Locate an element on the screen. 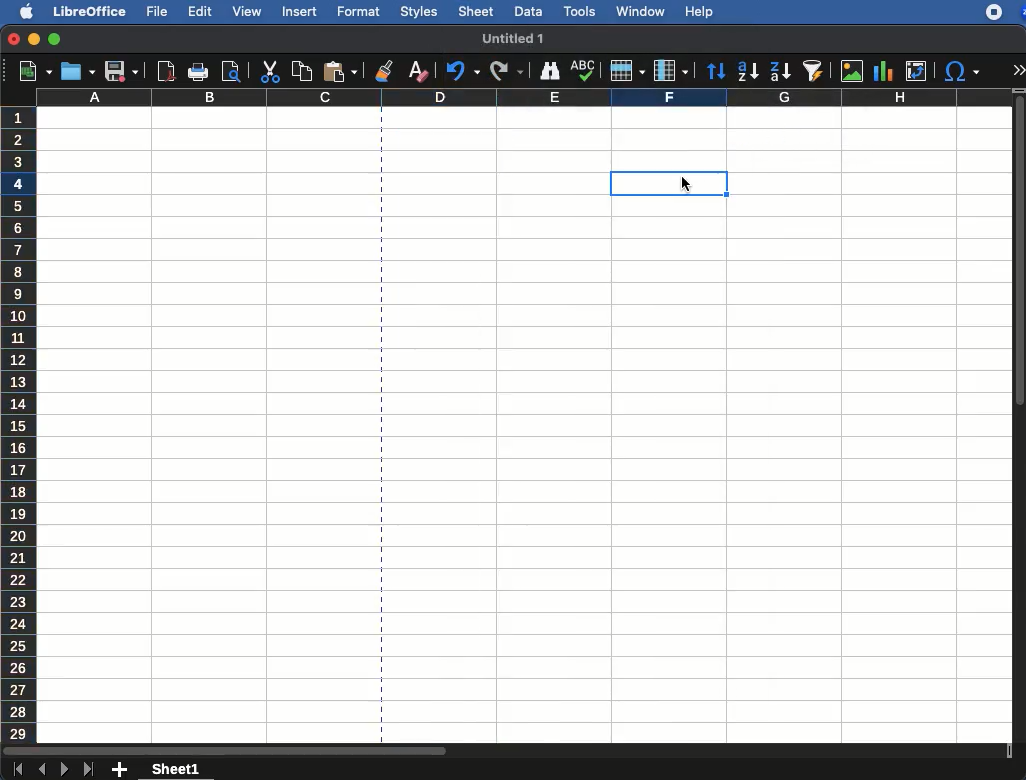 Image resolution: width=1026 pixels, height=780 pixels. special character is located at coordinates (962, 73).